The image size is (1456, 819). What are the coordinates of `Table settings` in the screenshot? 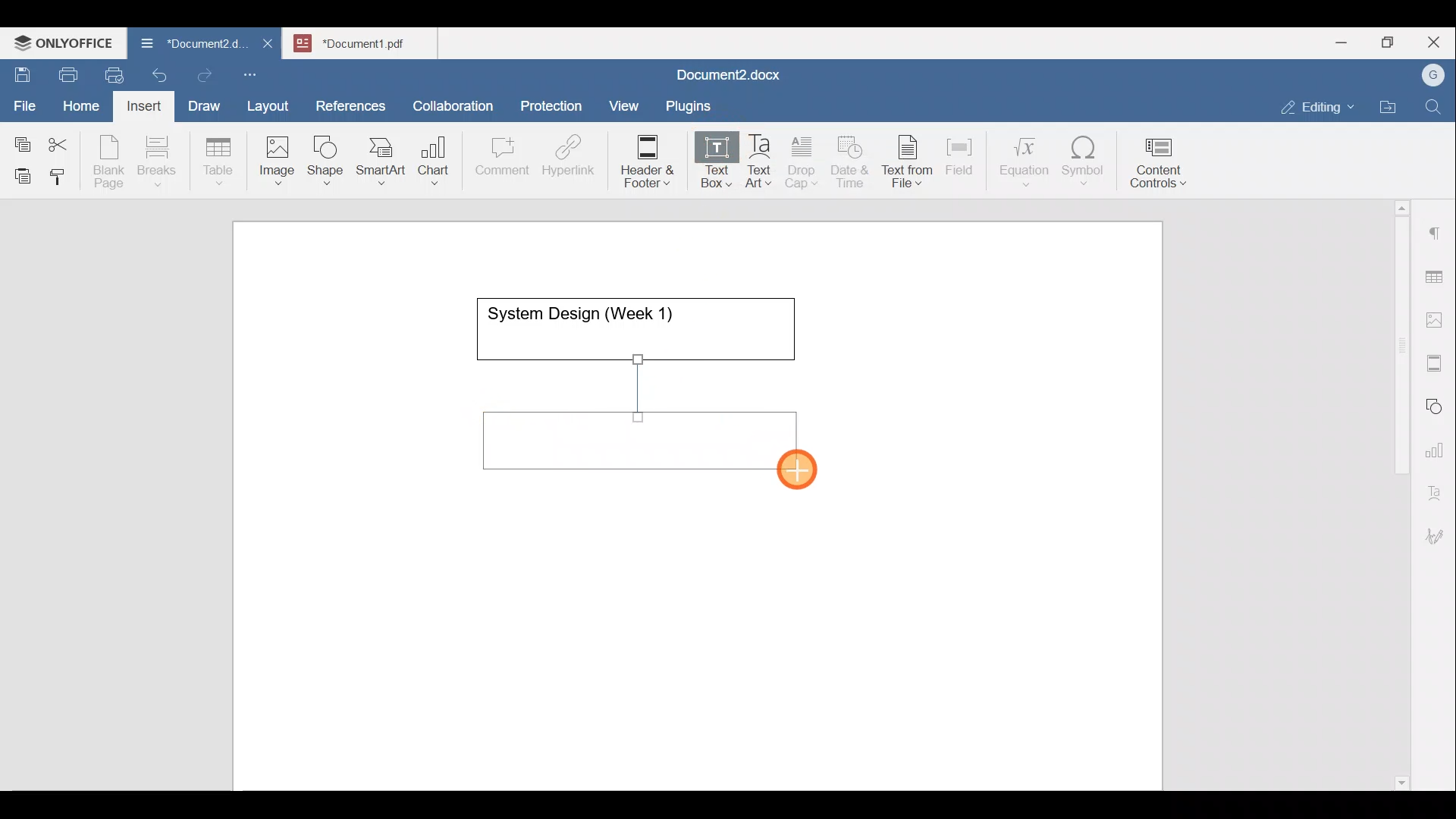 It's located at (1437, 275).